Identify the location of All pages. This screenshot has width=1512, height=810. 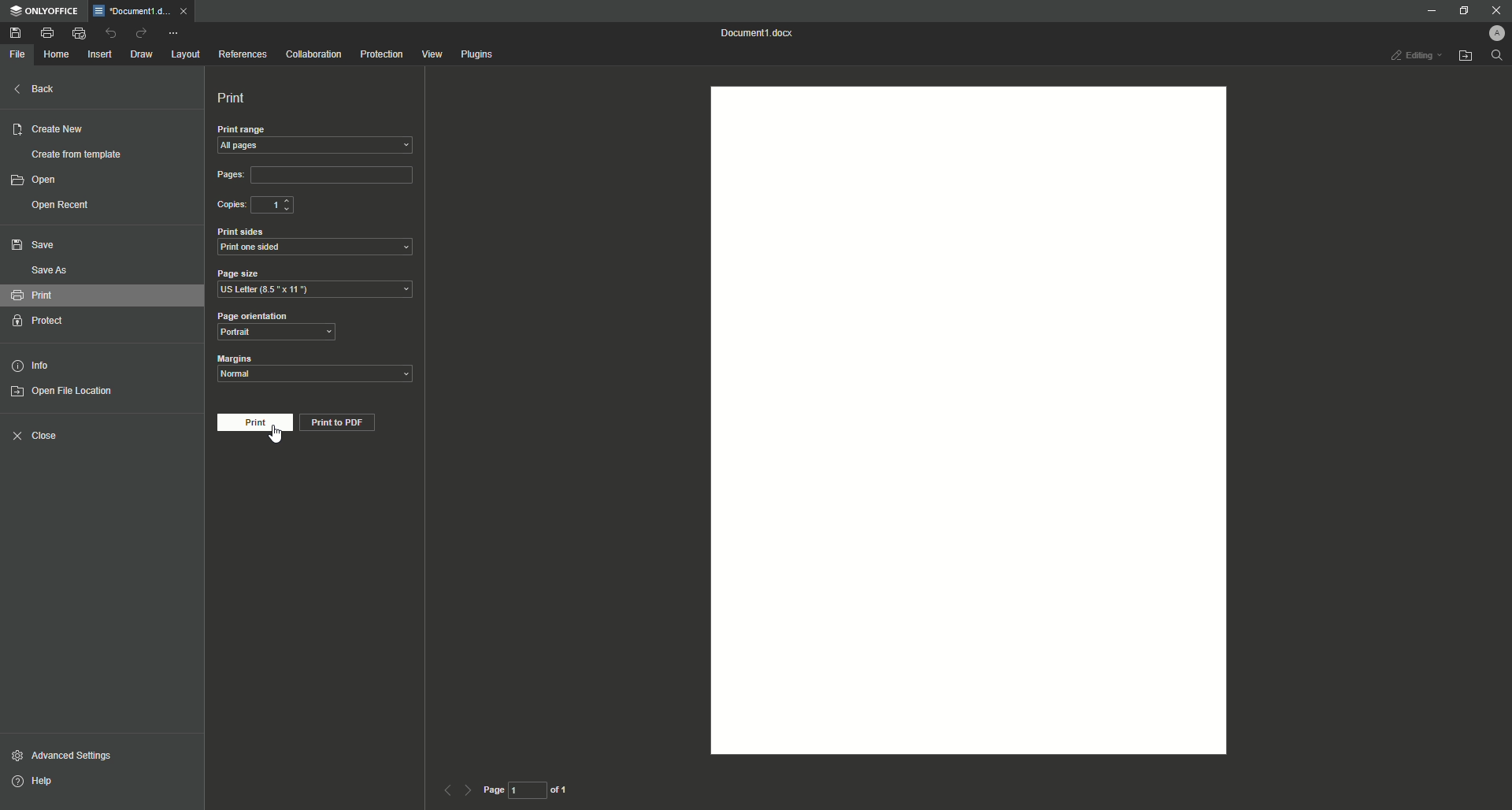
(318, 147).